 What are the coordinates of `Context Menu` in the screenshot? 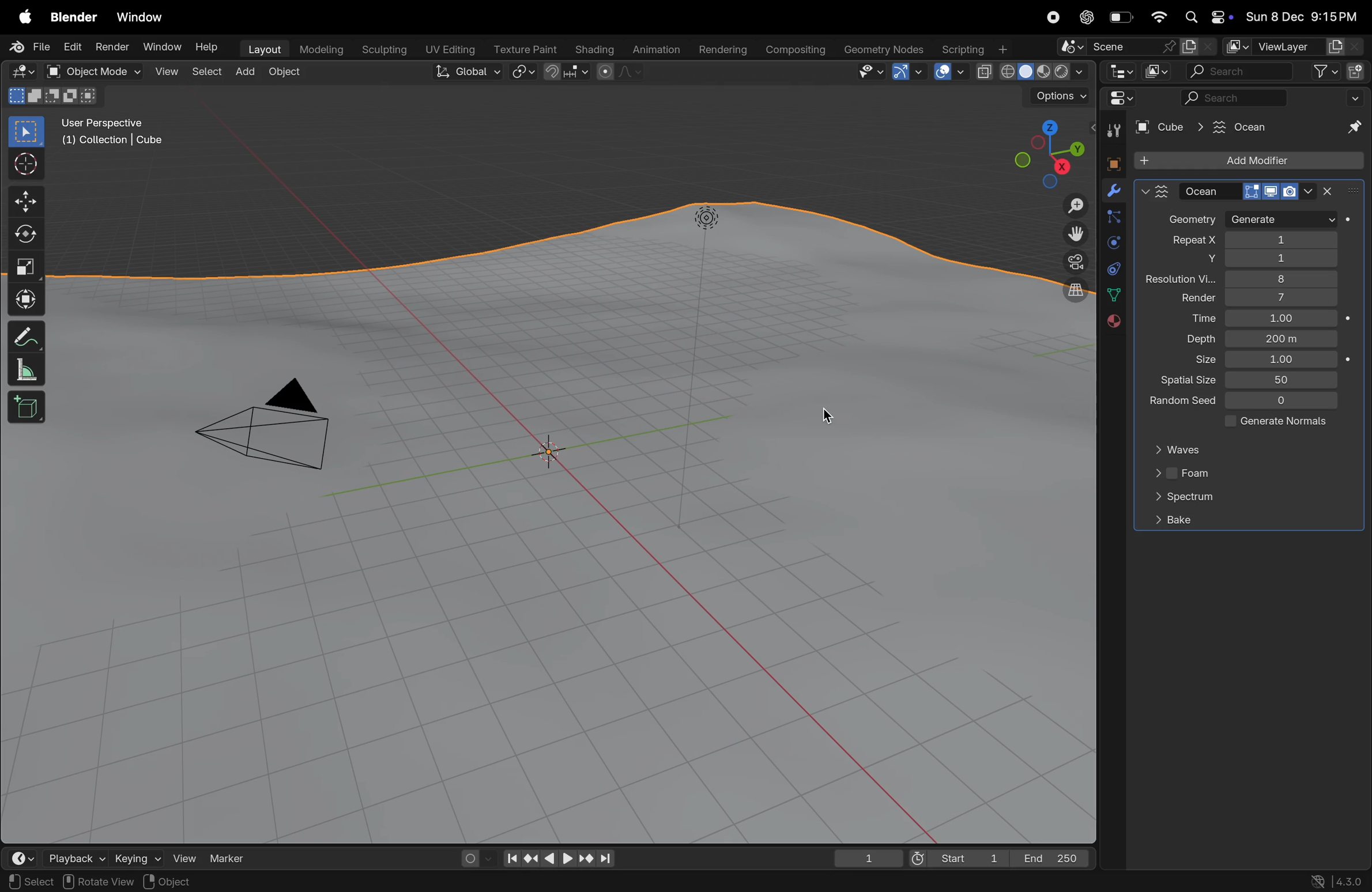 It's located at (232, 882).